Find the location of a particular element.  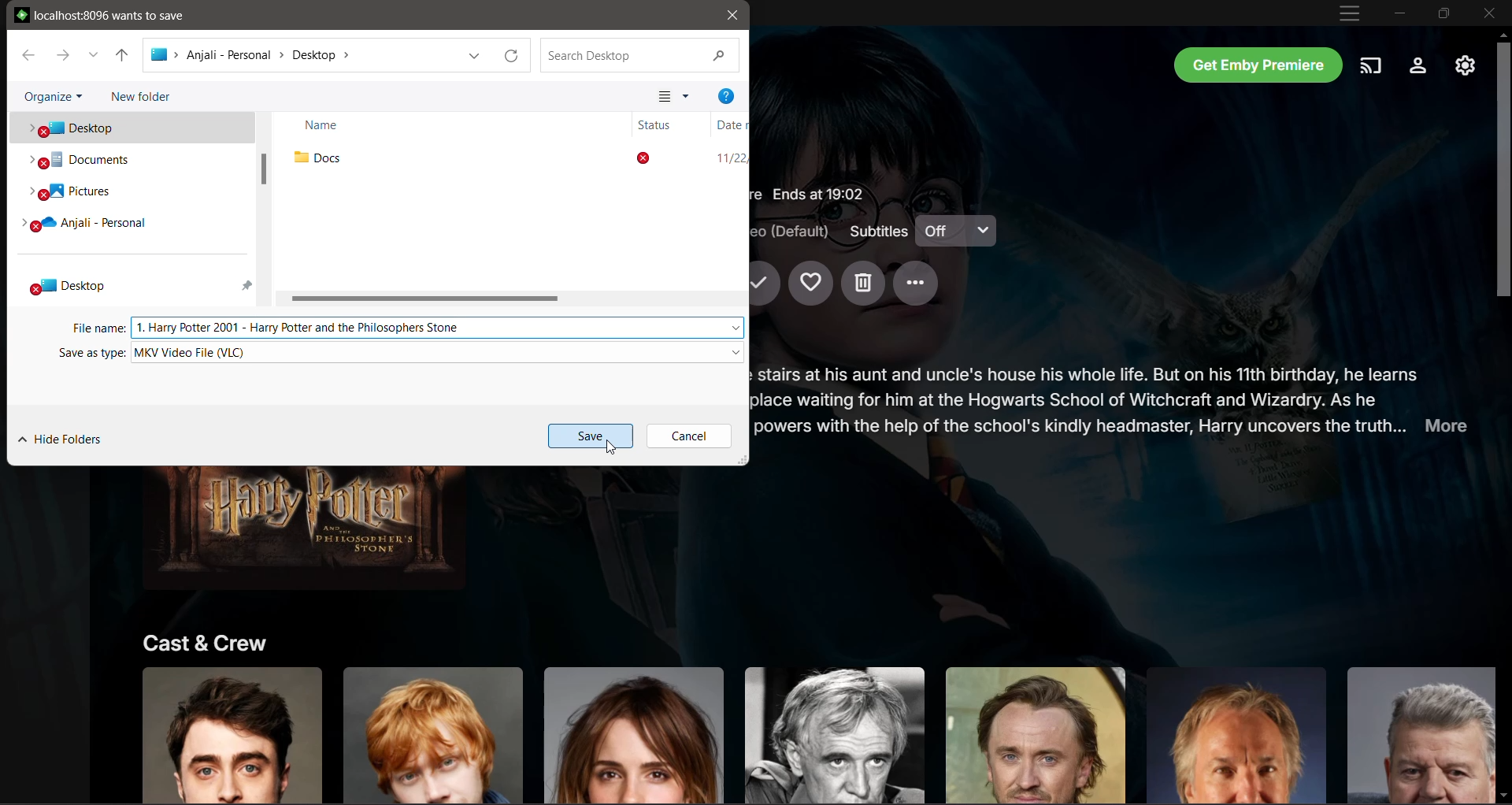

Selected Location Path is located at coordinates (299, 54).